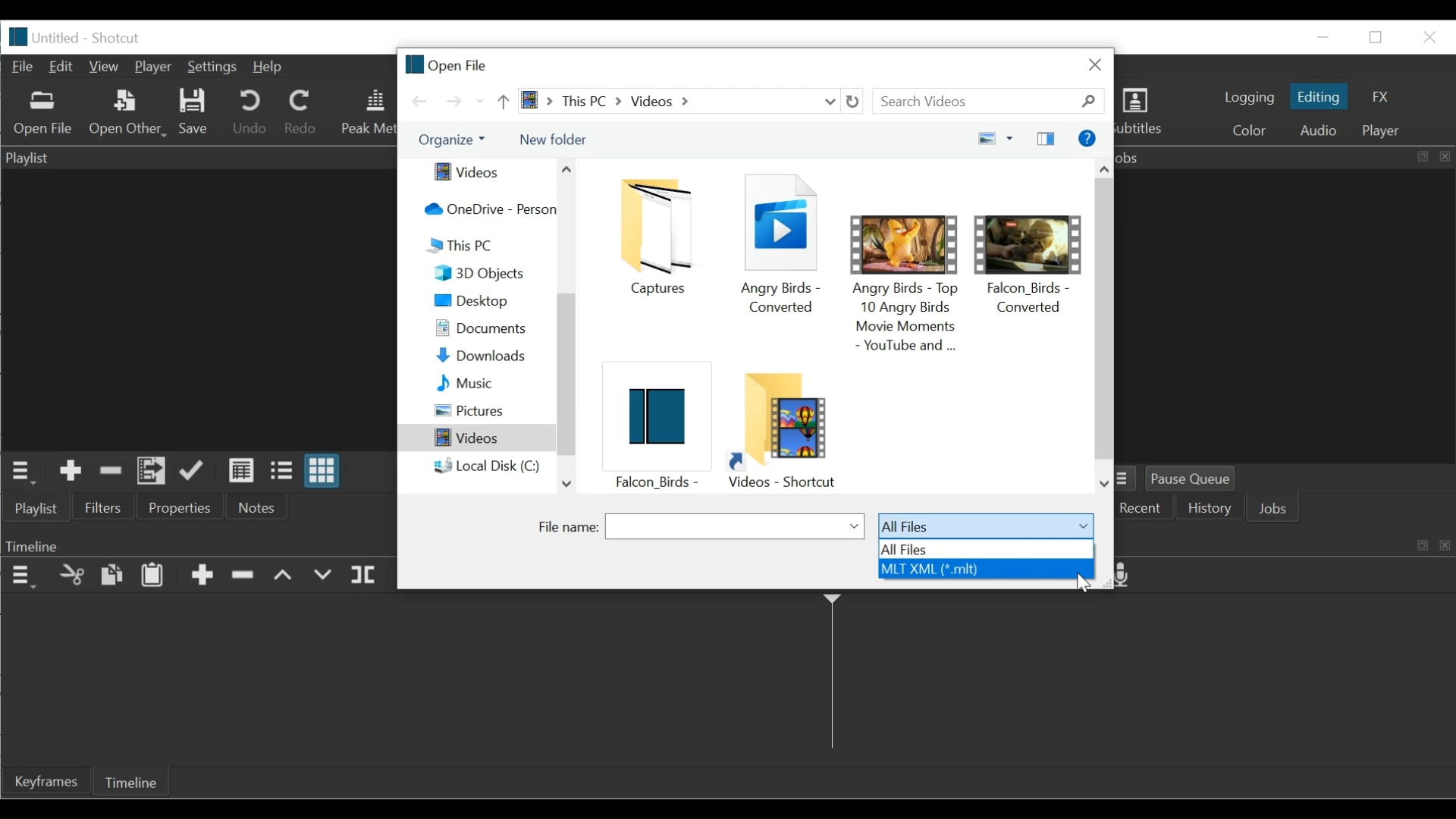  I want to click on File name, so click(565, 527).